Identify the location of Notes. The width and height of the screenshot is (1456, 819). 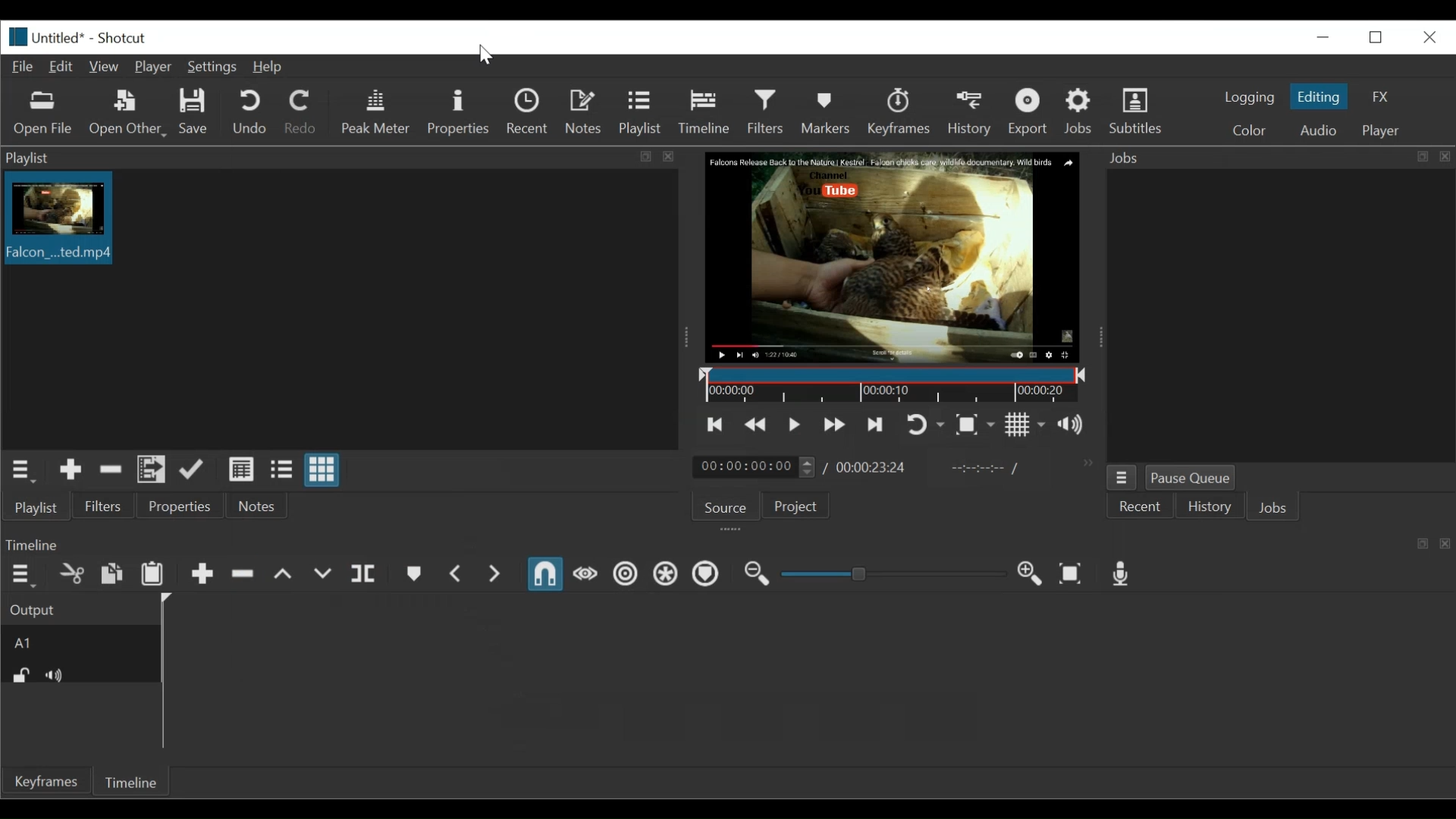
(259, 507).